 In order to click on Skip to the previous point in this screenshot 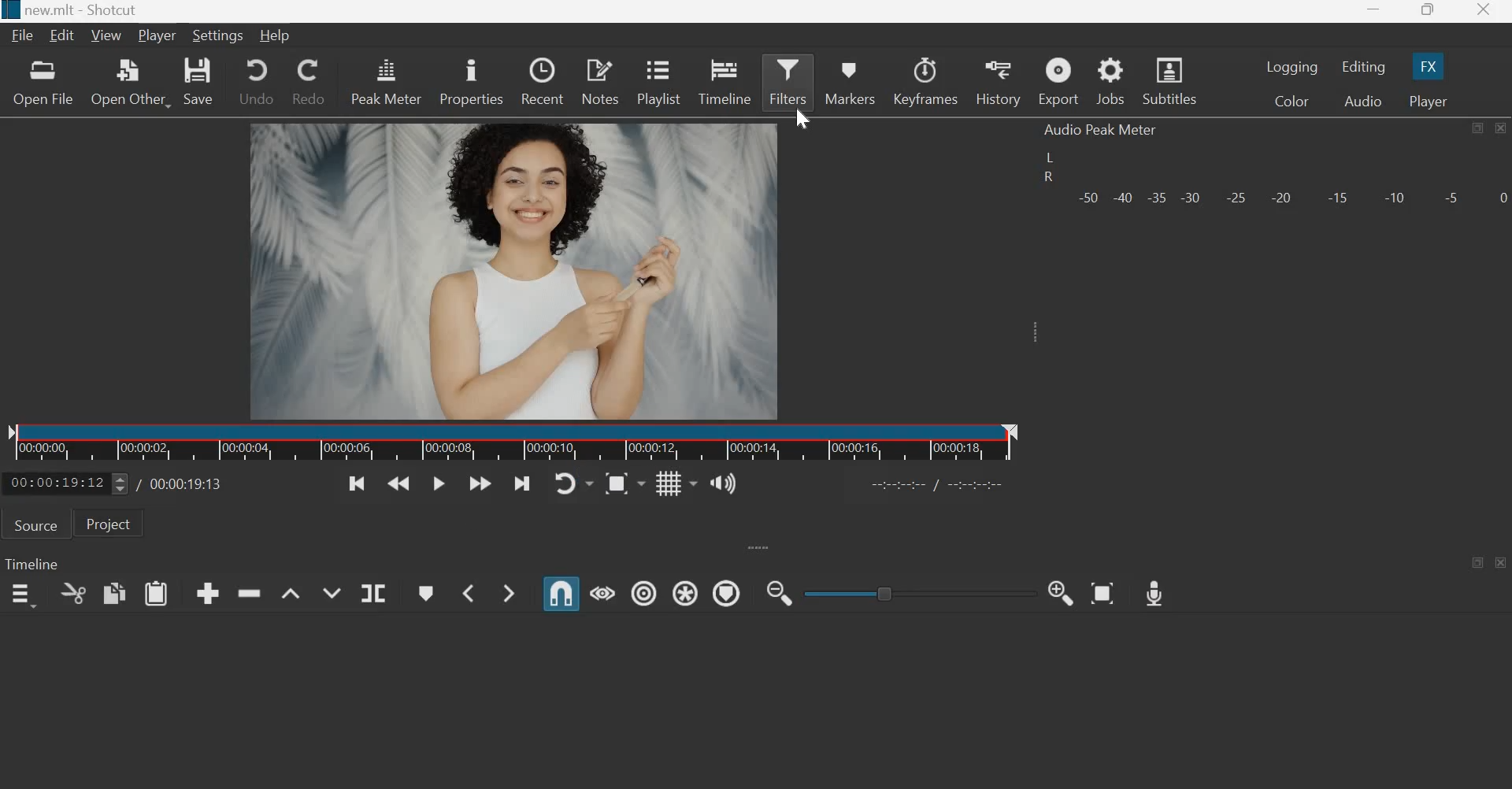, I will do `click(357, 483)`.